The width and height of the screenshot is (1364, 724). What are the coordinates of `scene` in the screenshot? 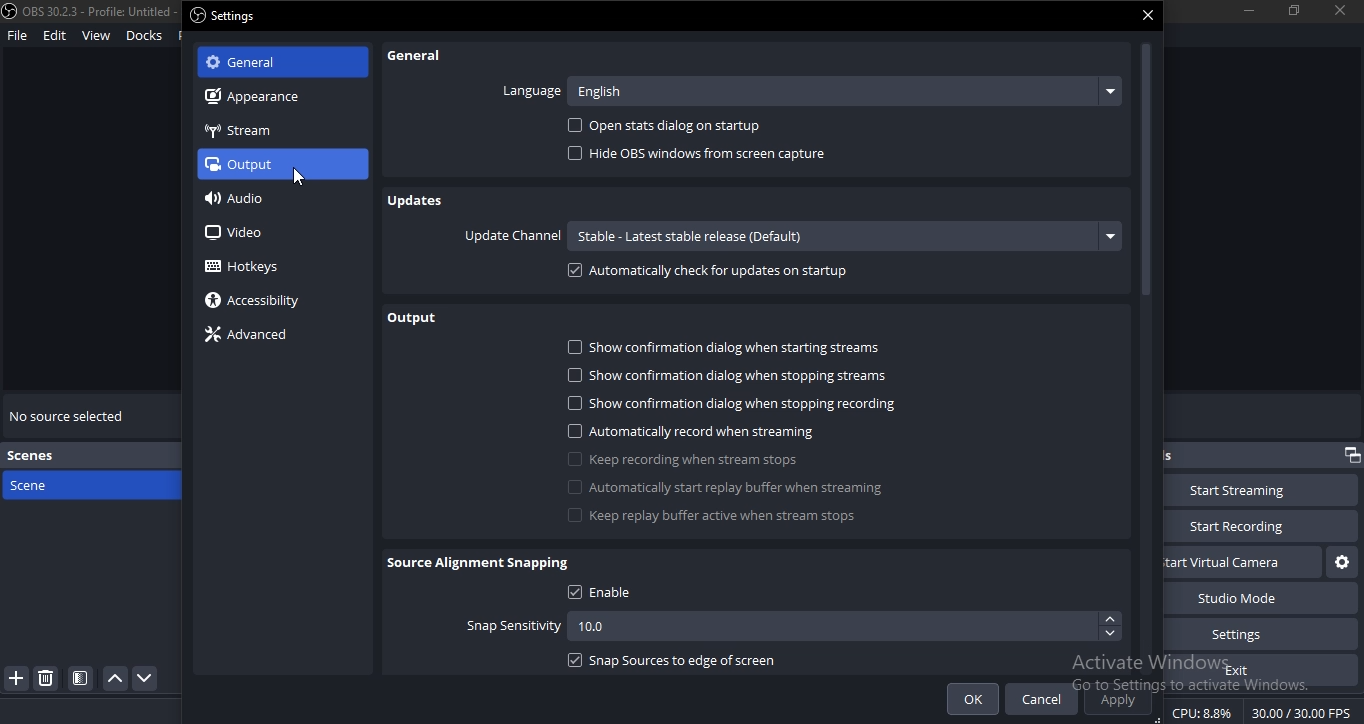 It's located at (64, 484).